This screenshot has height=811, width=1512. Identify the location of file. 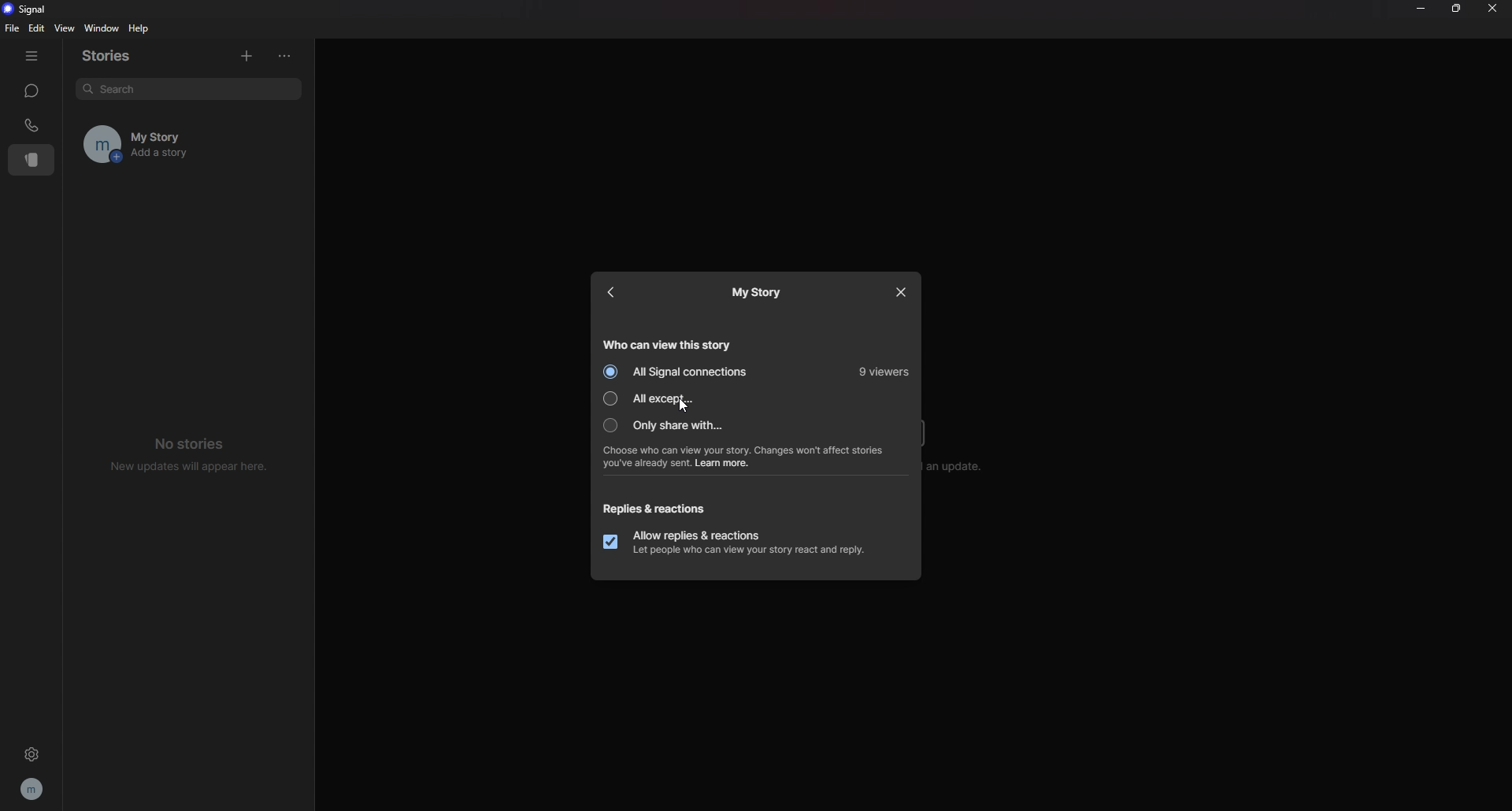
(14, 28).